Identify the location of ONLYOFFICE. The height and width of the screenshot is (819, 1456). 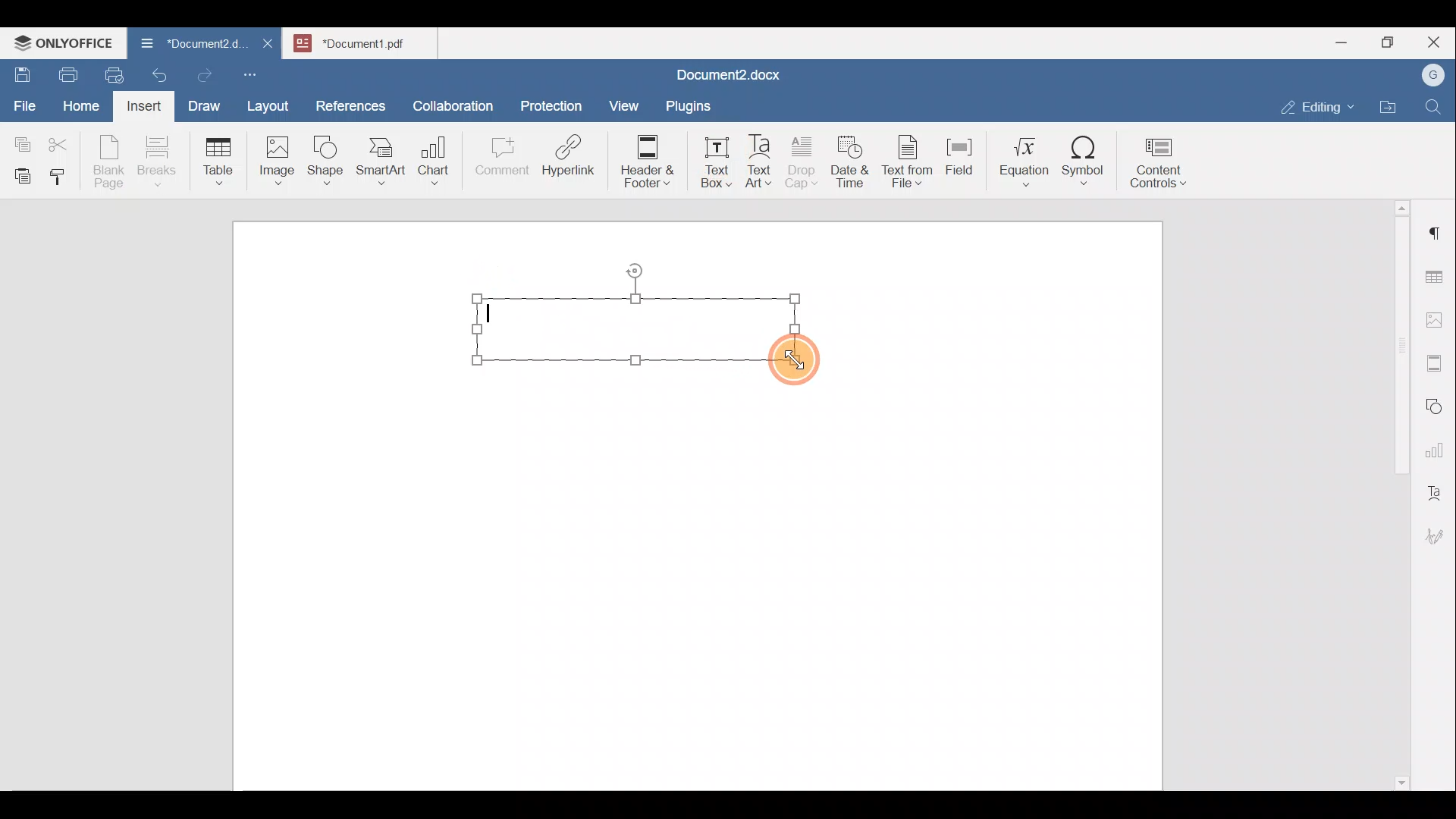
(64, 42).